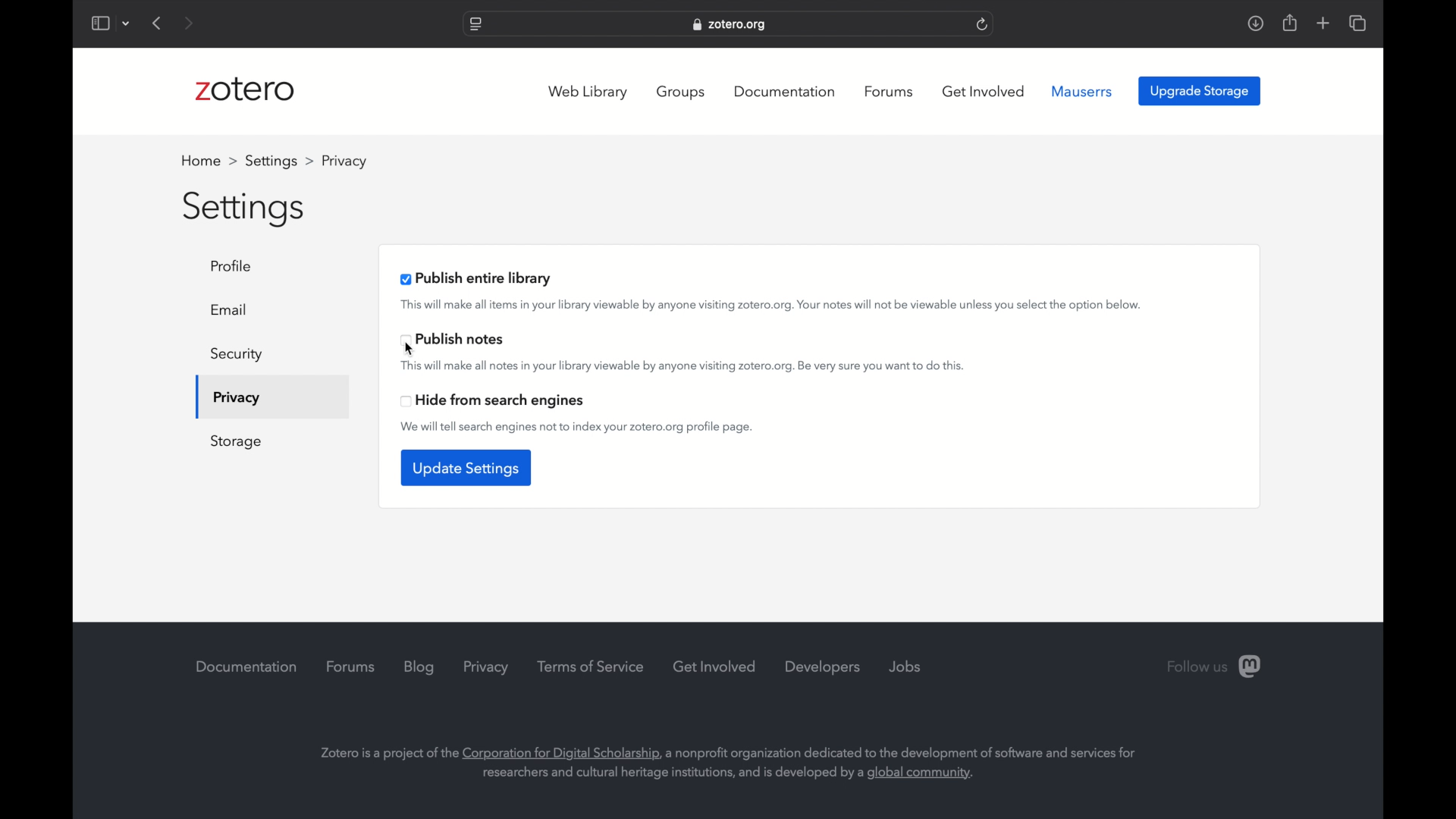 This screenshot has width=1456, height=819. What do you see at coordinates (246, 667) in the screenshot?
I see `documentation` at bounding box center [246, 667].